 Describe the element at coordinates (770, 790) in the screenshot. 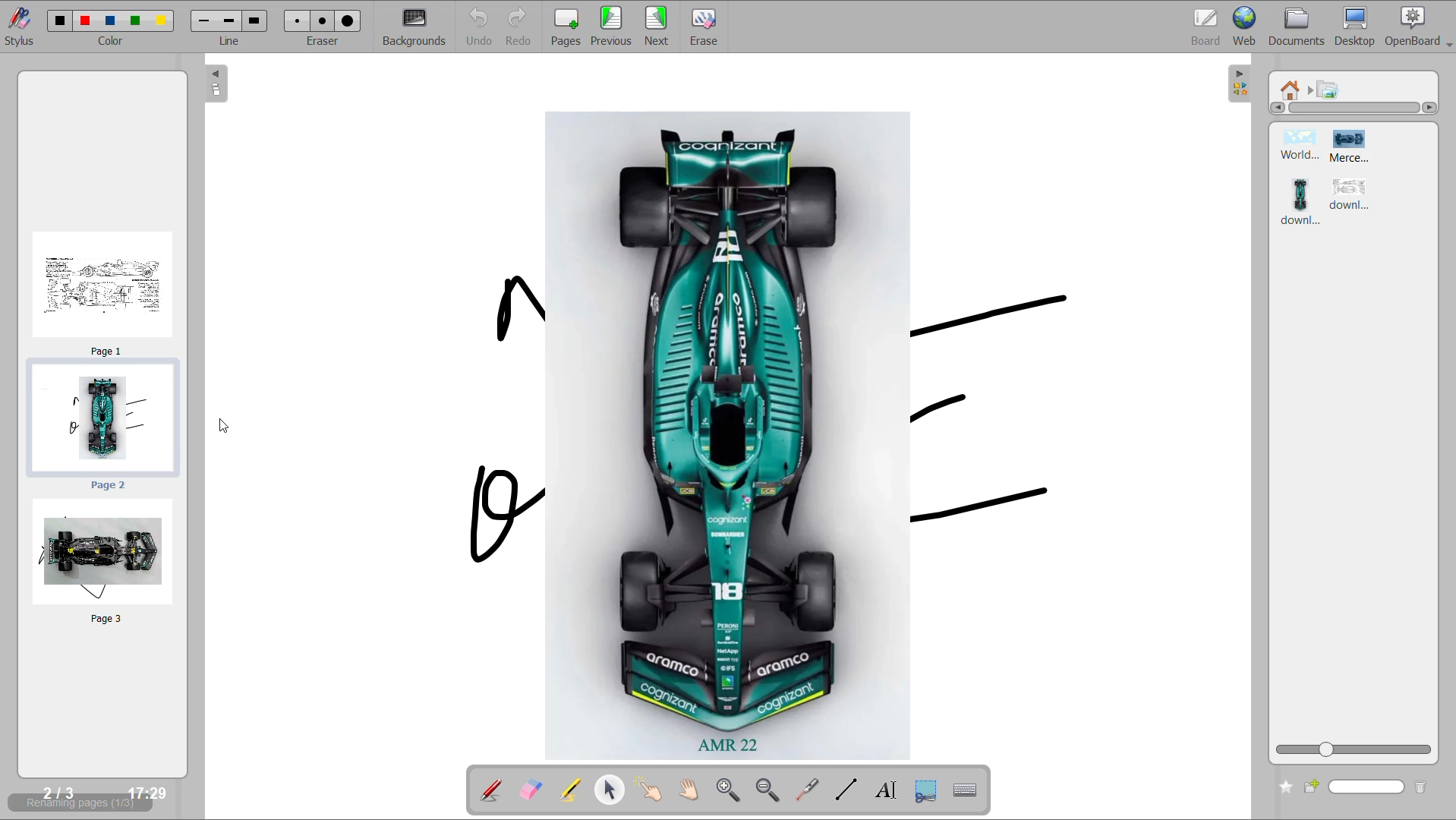

I see `zoom out` at that location.